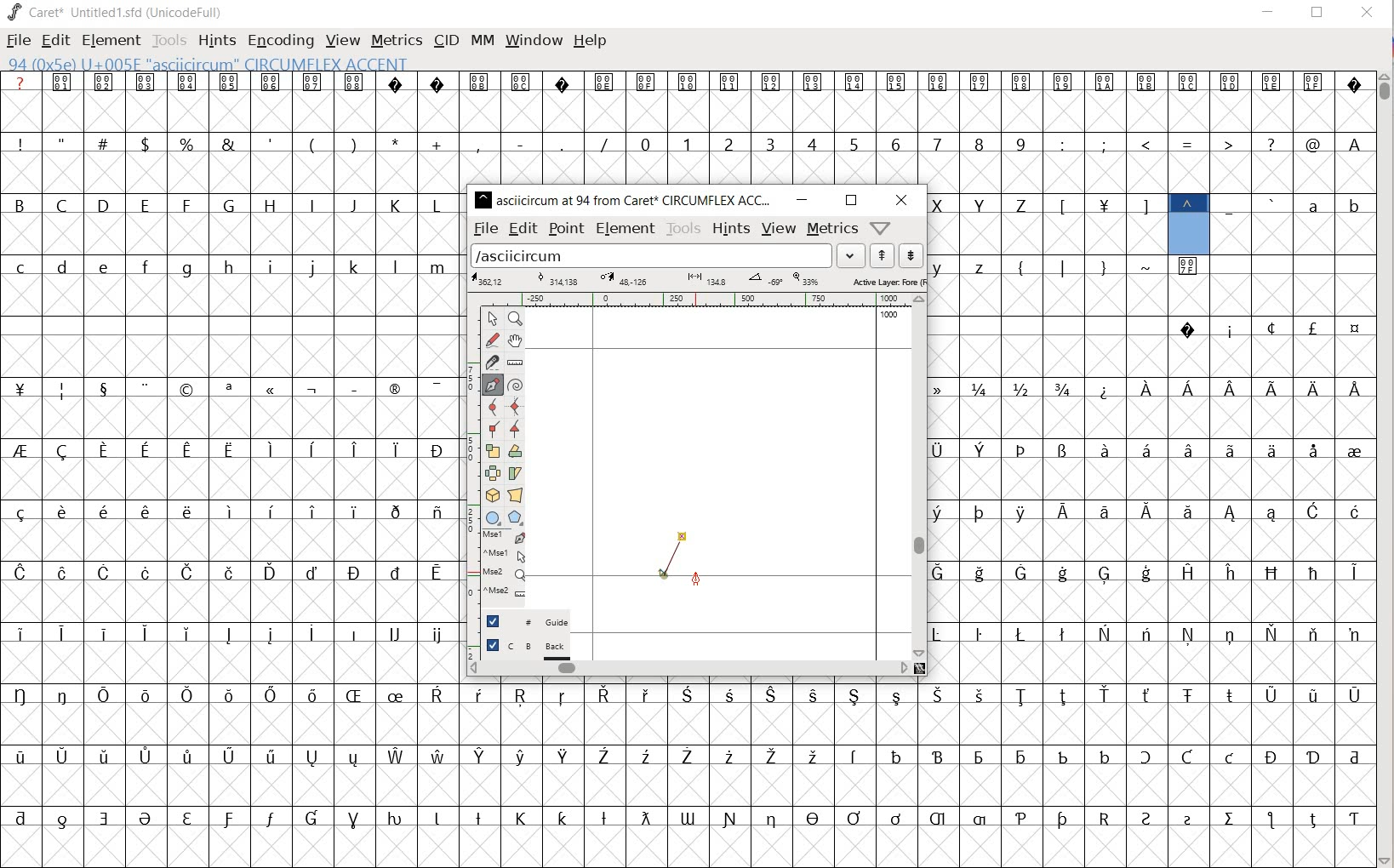 Image resolution: width=1394 pixels, height=868 pixels. I want to click on FILE, so click(17, 42).